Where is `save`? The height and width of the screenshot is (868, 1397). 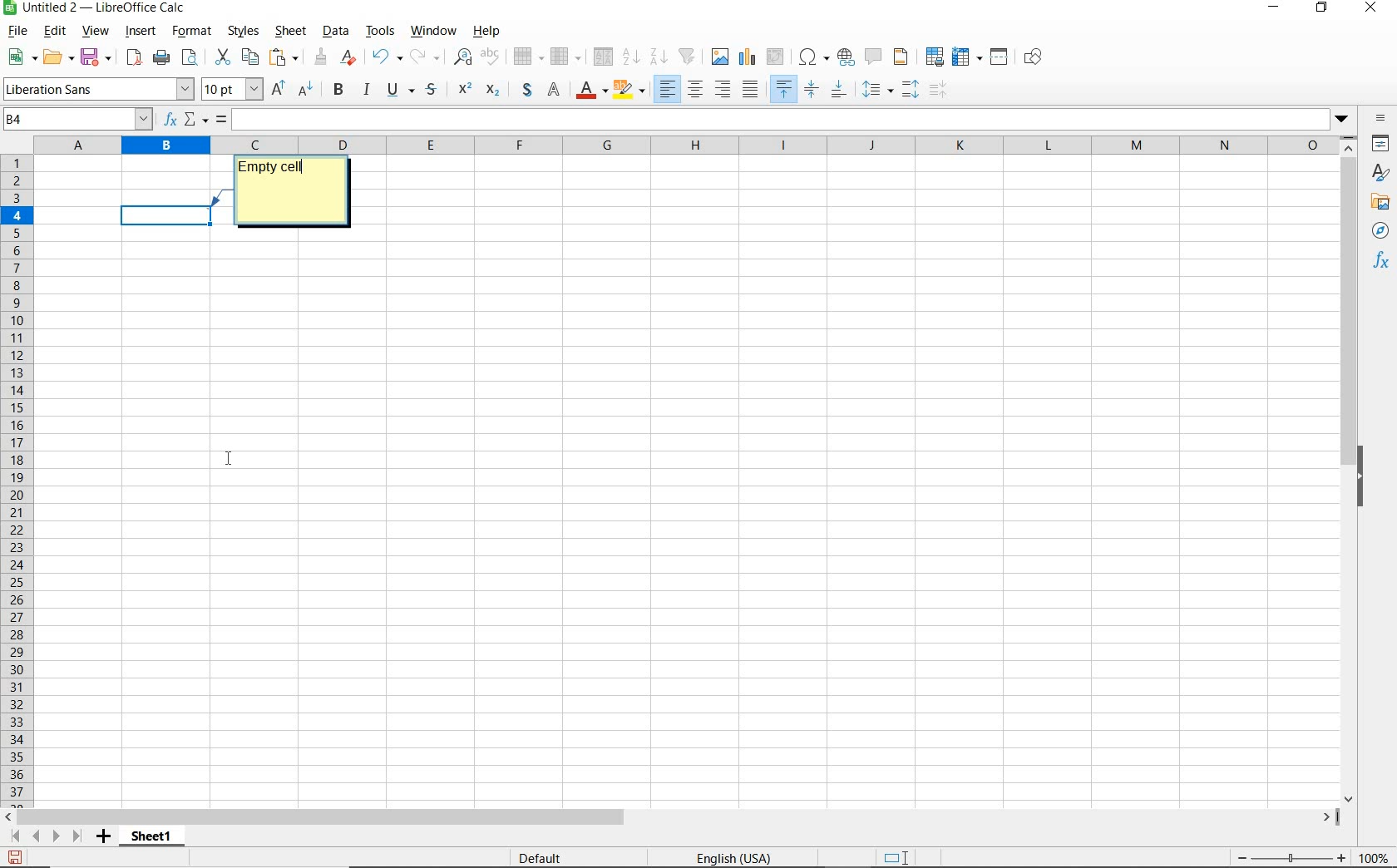 save is located at coordinates (95, 57).